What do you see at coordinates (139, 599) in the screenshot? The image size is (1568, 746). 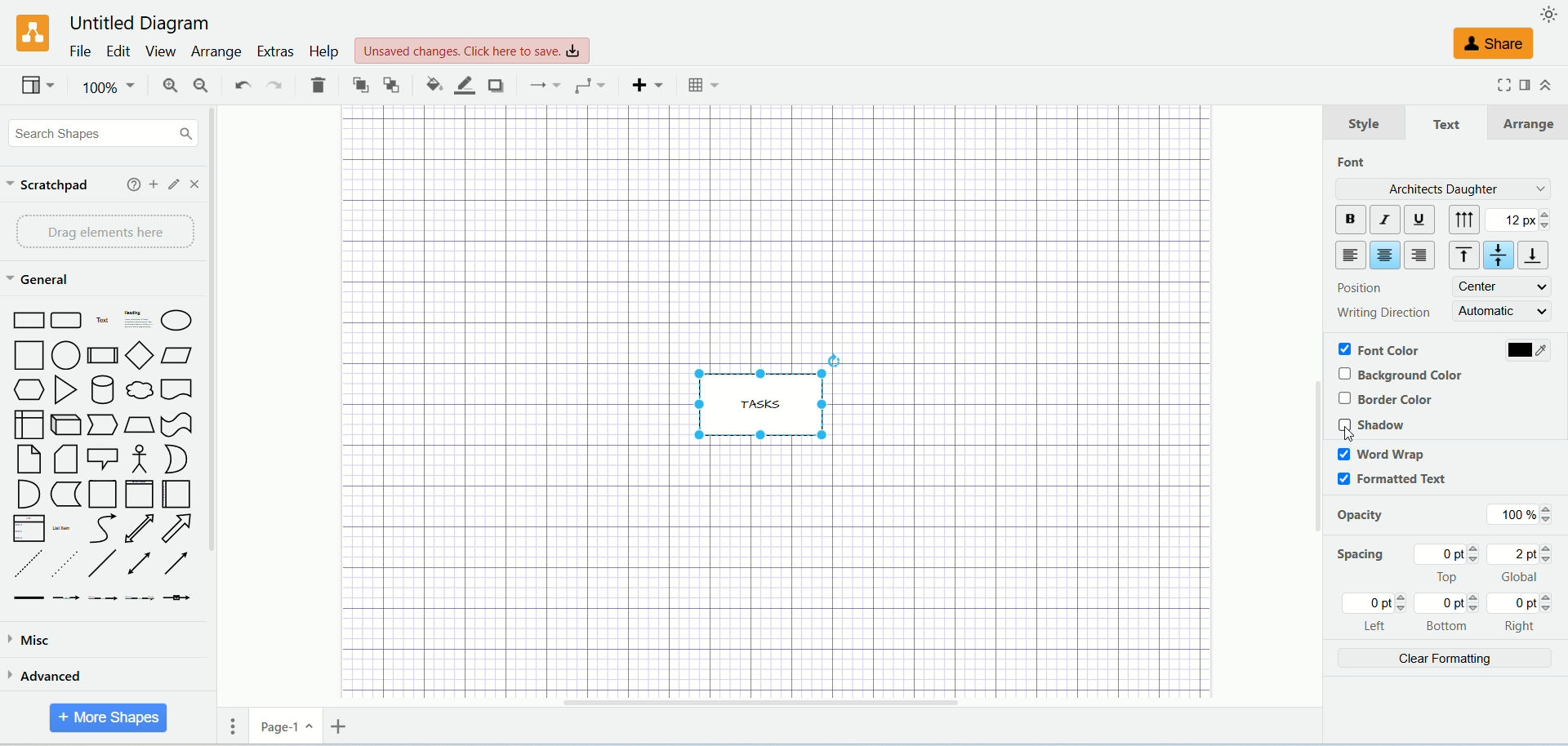 I see `Connector with 3 label` at bounding box center [139, 599].